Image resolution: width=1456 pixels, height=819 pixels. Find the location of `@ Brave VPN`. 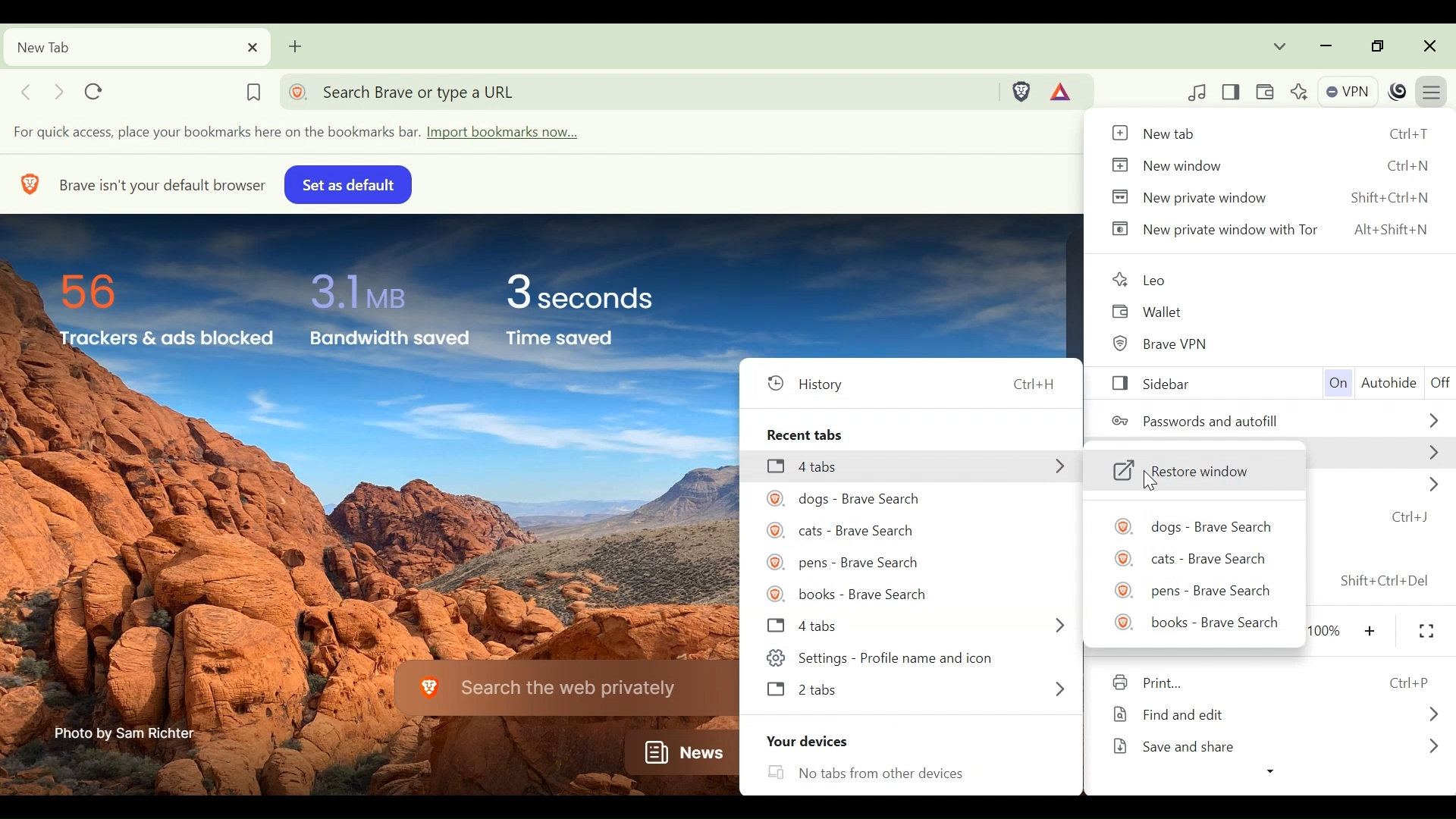

@ Brave VPN is located at coordinates (1162, 346).